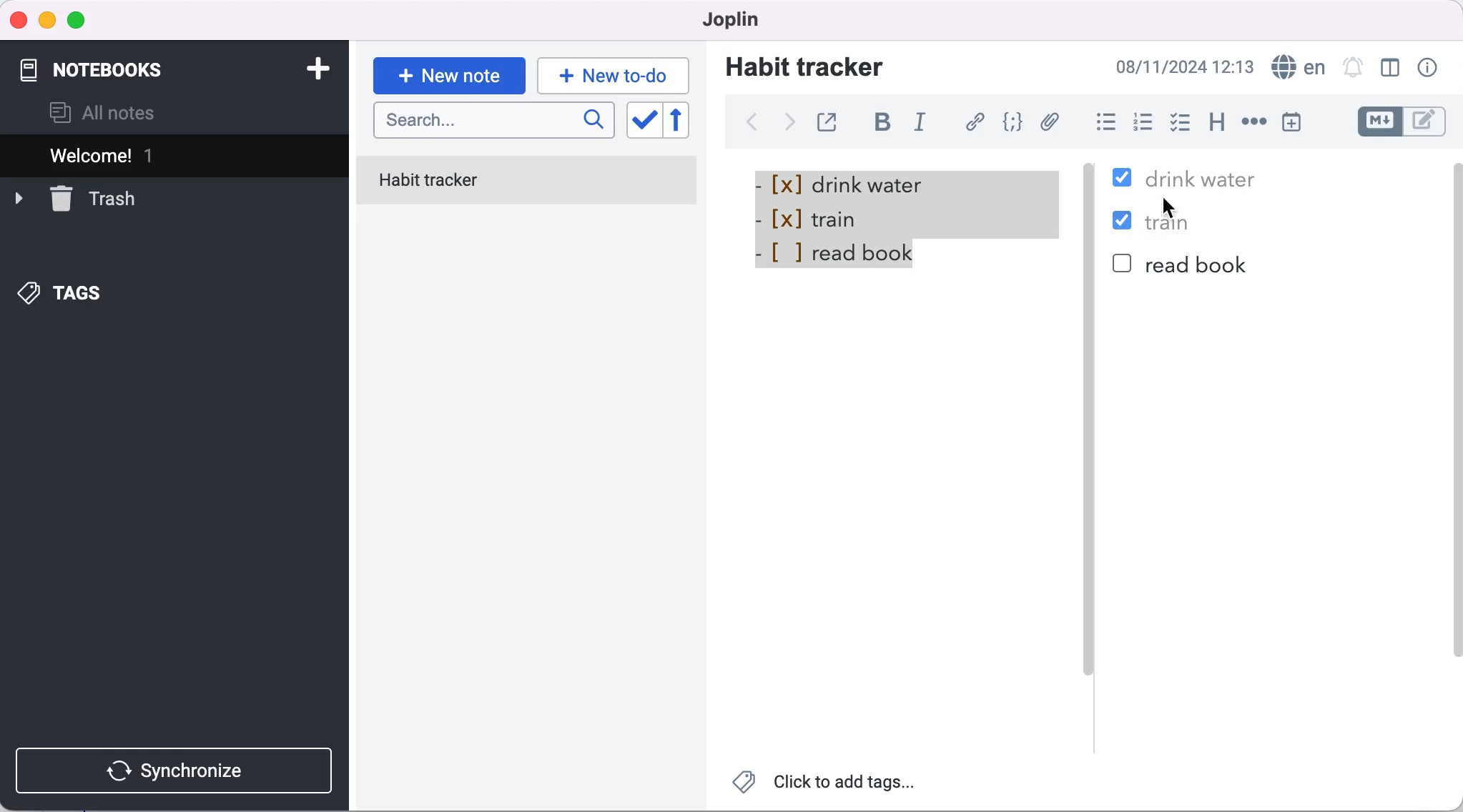 This screenshot has width=1463, height=812. What do you see at coordinates (725, 19) in the screenshot?
I see `joplin` at bounding box center [725, 19].